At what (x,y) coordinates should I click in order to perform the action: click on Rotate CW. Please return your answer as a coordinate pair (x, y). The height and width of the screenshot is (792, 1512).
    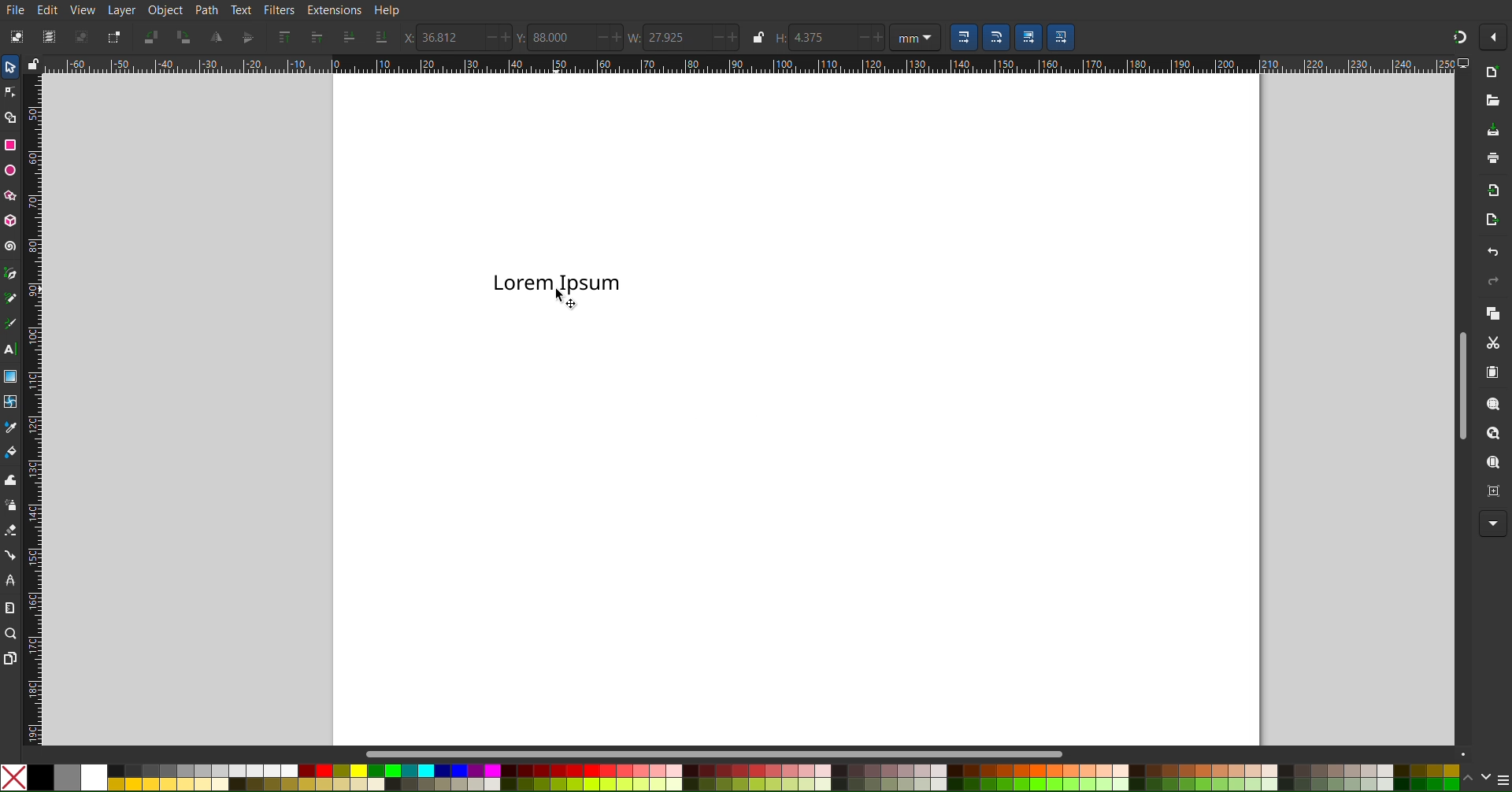
    Looking at the image, I should click on (185, 37).